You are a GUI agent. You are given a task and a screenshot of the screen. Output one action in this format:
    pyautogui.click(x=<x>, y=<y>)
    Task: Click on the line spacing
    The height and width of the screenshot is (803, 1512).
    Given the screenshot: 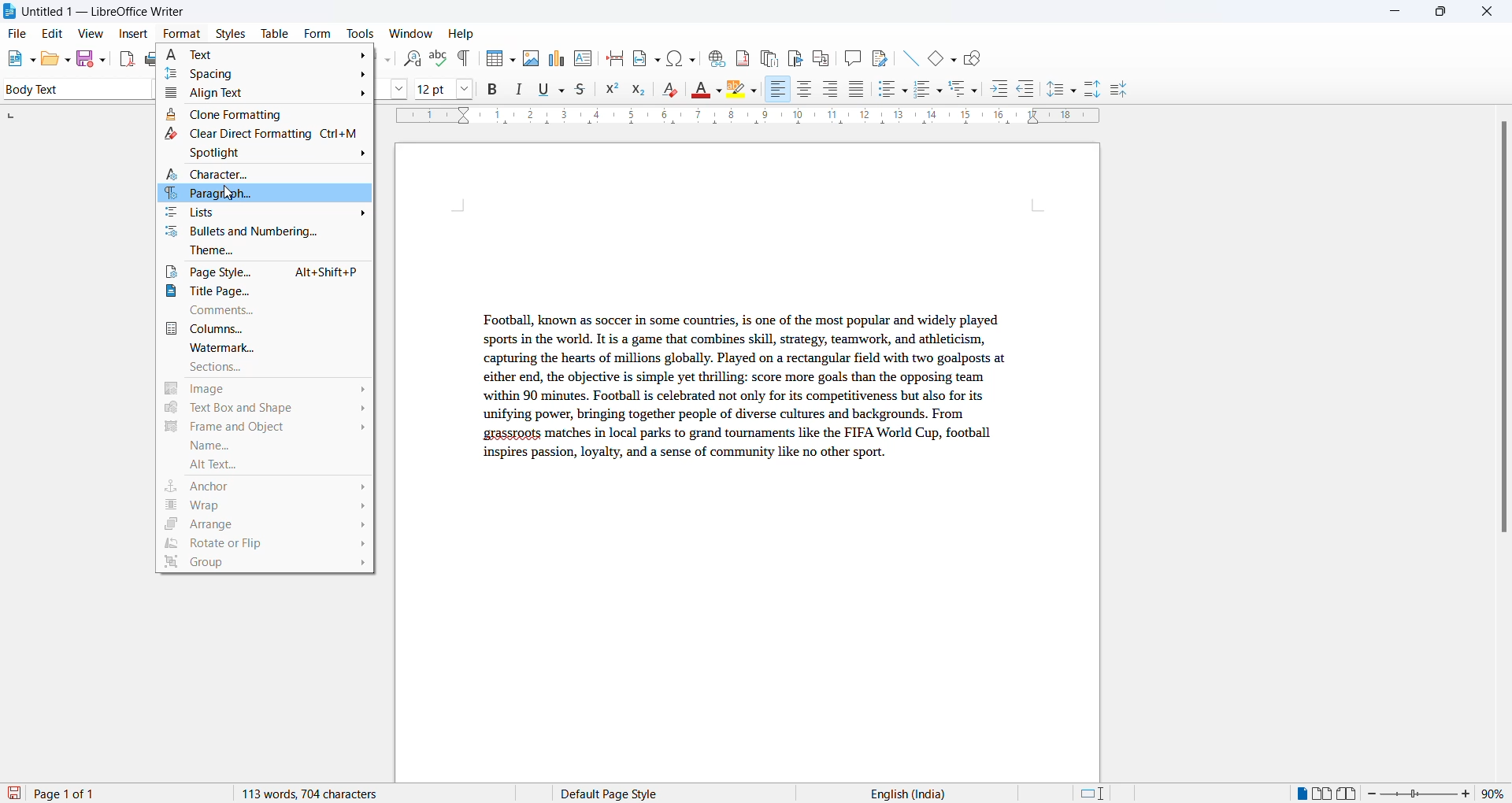 What is the action you would take?
    pyautogui.click(x=1064, y=90)
    